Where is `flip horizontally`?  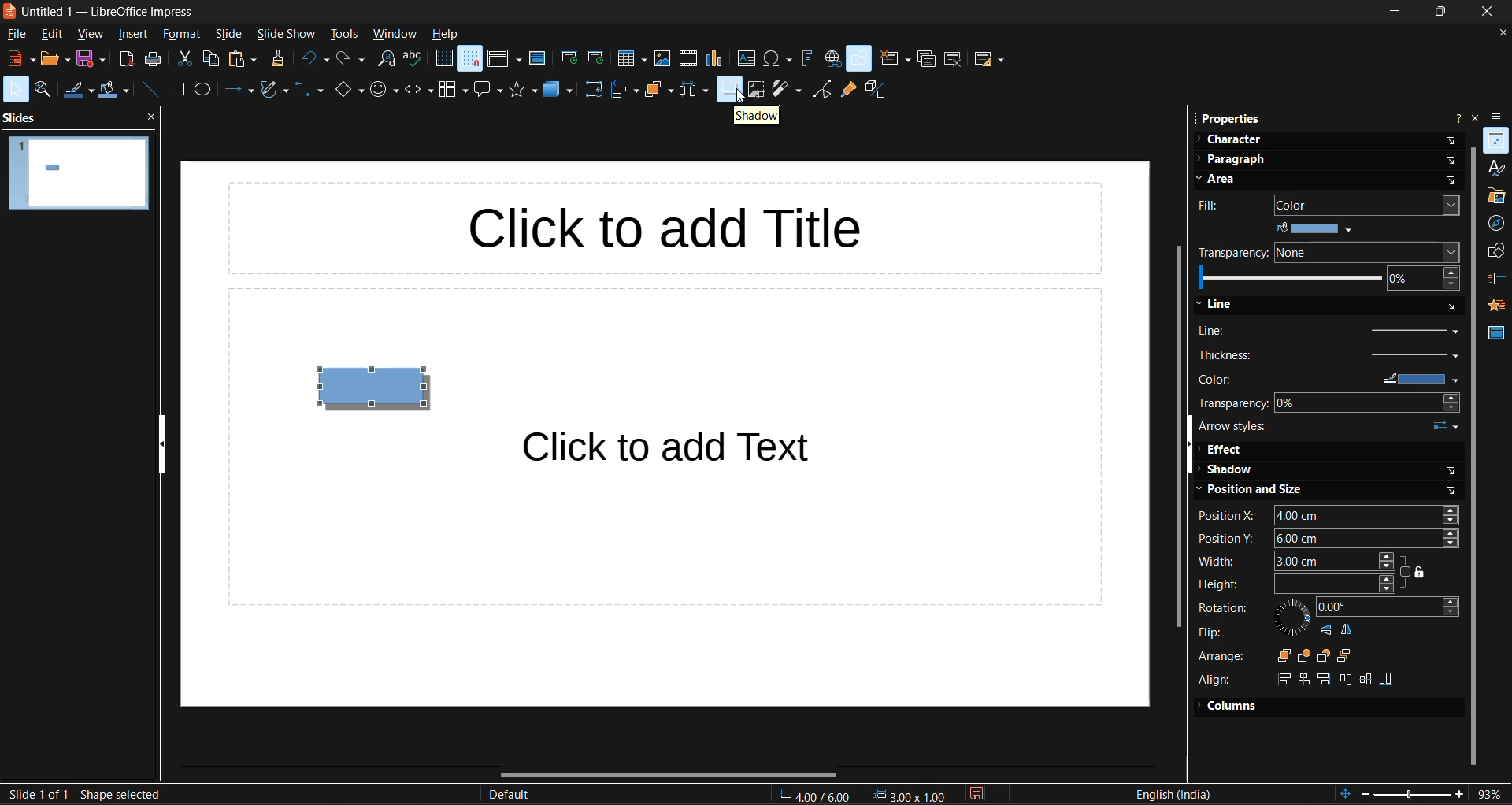 flip horizontally is located at coordinates (1349, 631).